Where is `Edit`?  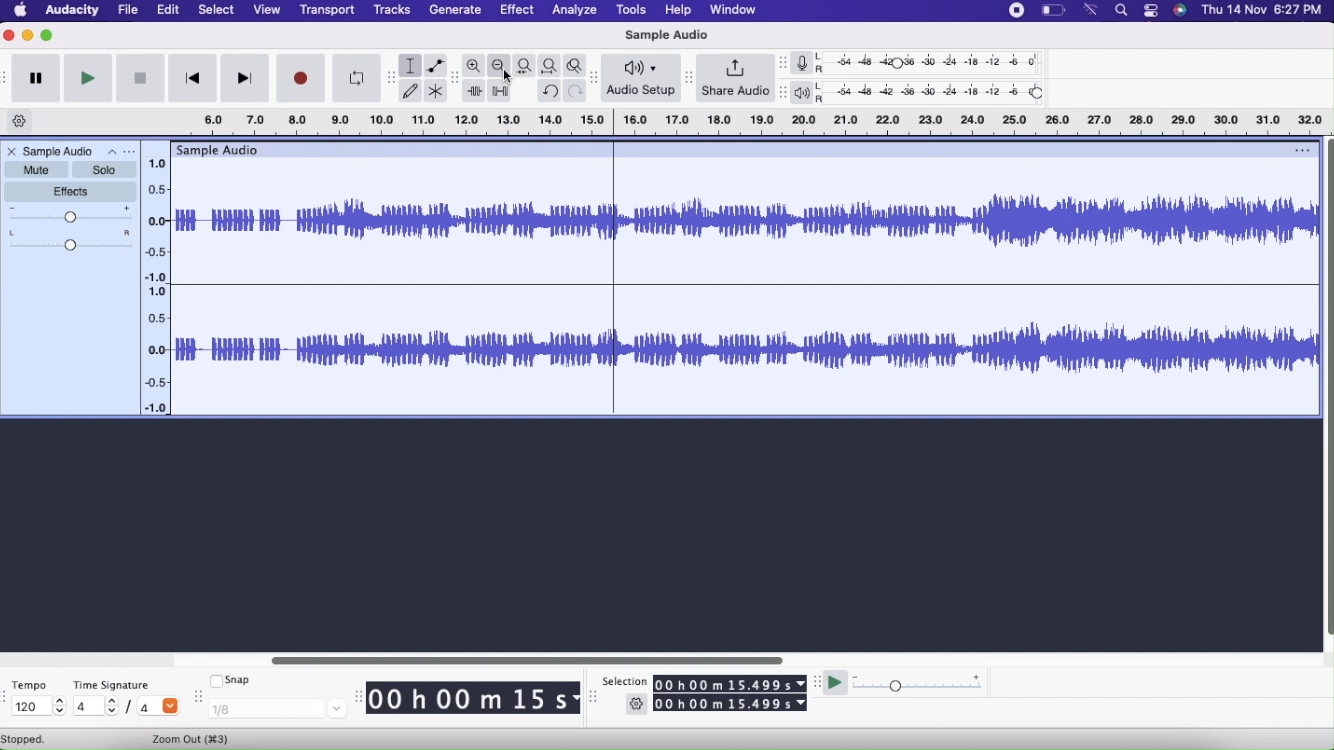
Edit is located at coordinates (171, 11).